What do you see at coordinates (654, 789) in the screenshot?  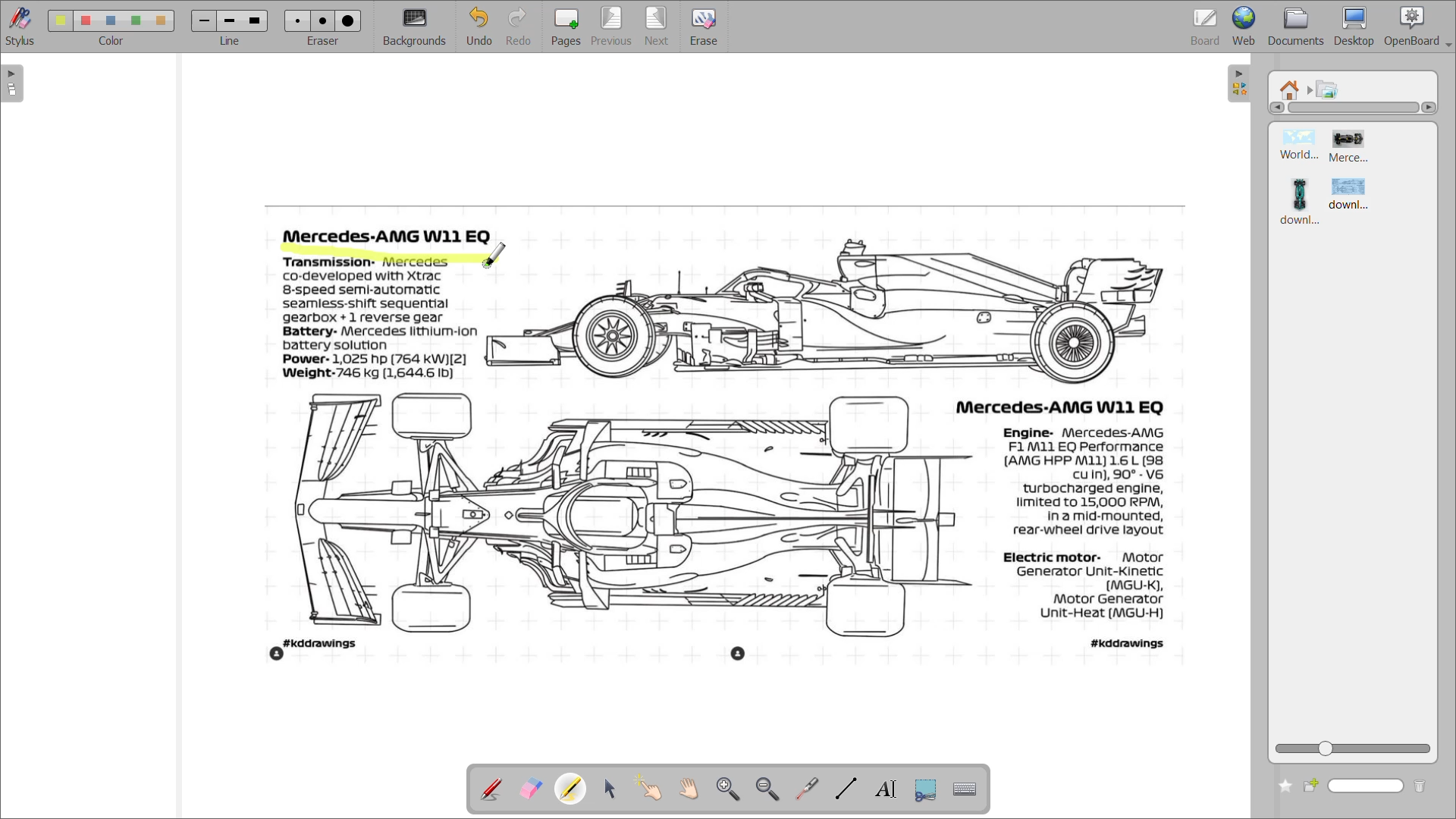 I see `interact with items` at bounding box center [654, 789].